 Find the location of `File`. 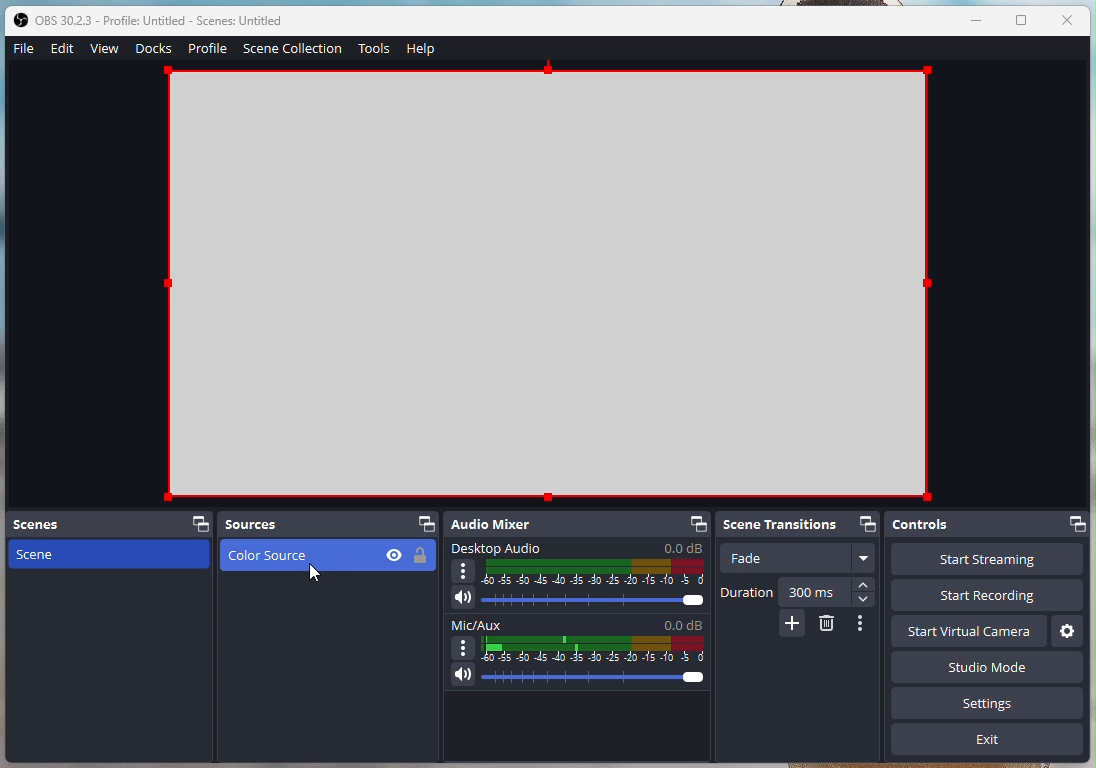

File is located at coordinates (22, 49).